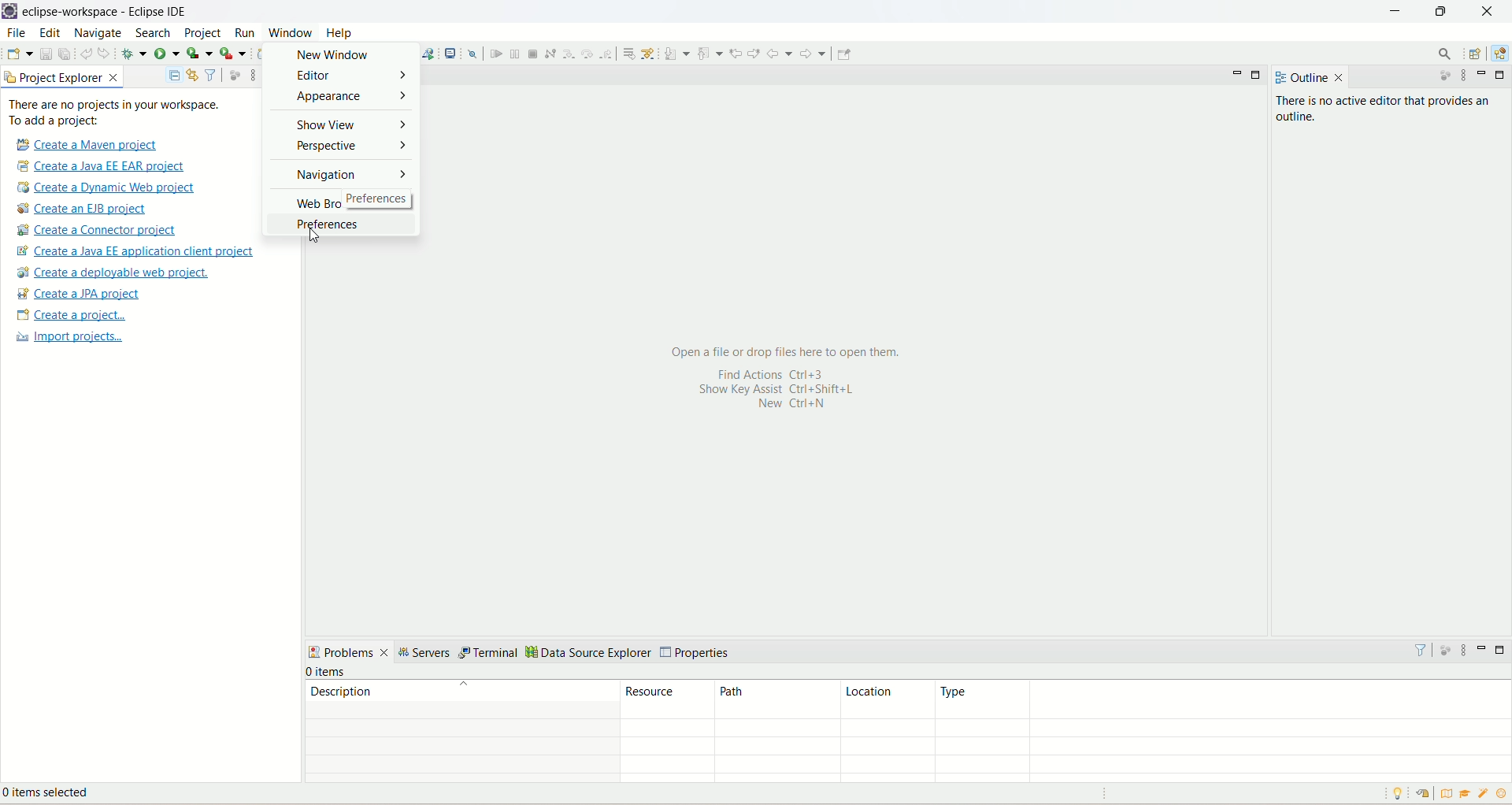 The image size is (1512, 805). What do you see at coordinates (1444, 792) in the screenshot?
I see `overview` at bounding box center [1444, 792].